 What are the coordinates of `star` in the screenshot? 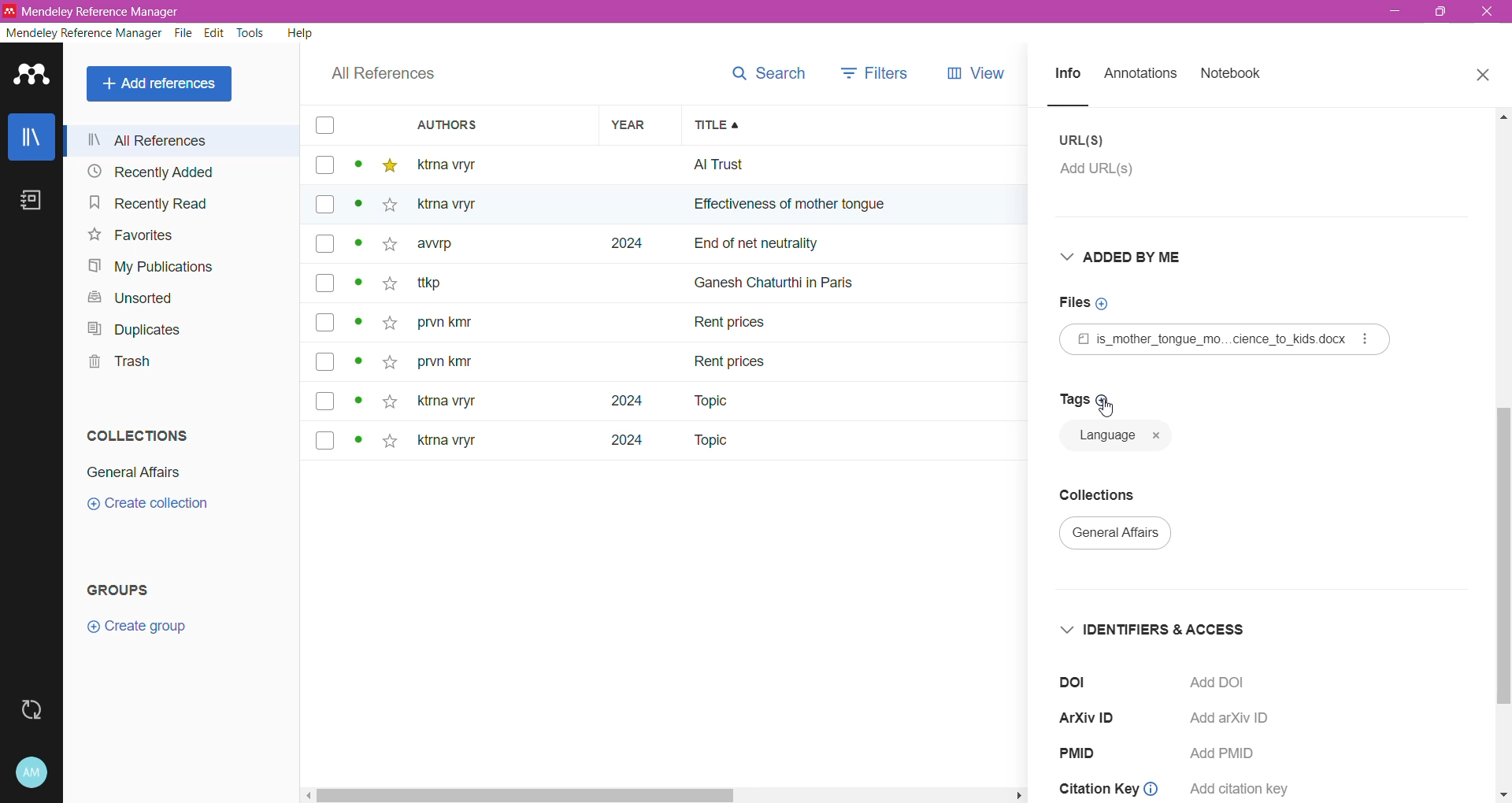 It's located at (389, 166).